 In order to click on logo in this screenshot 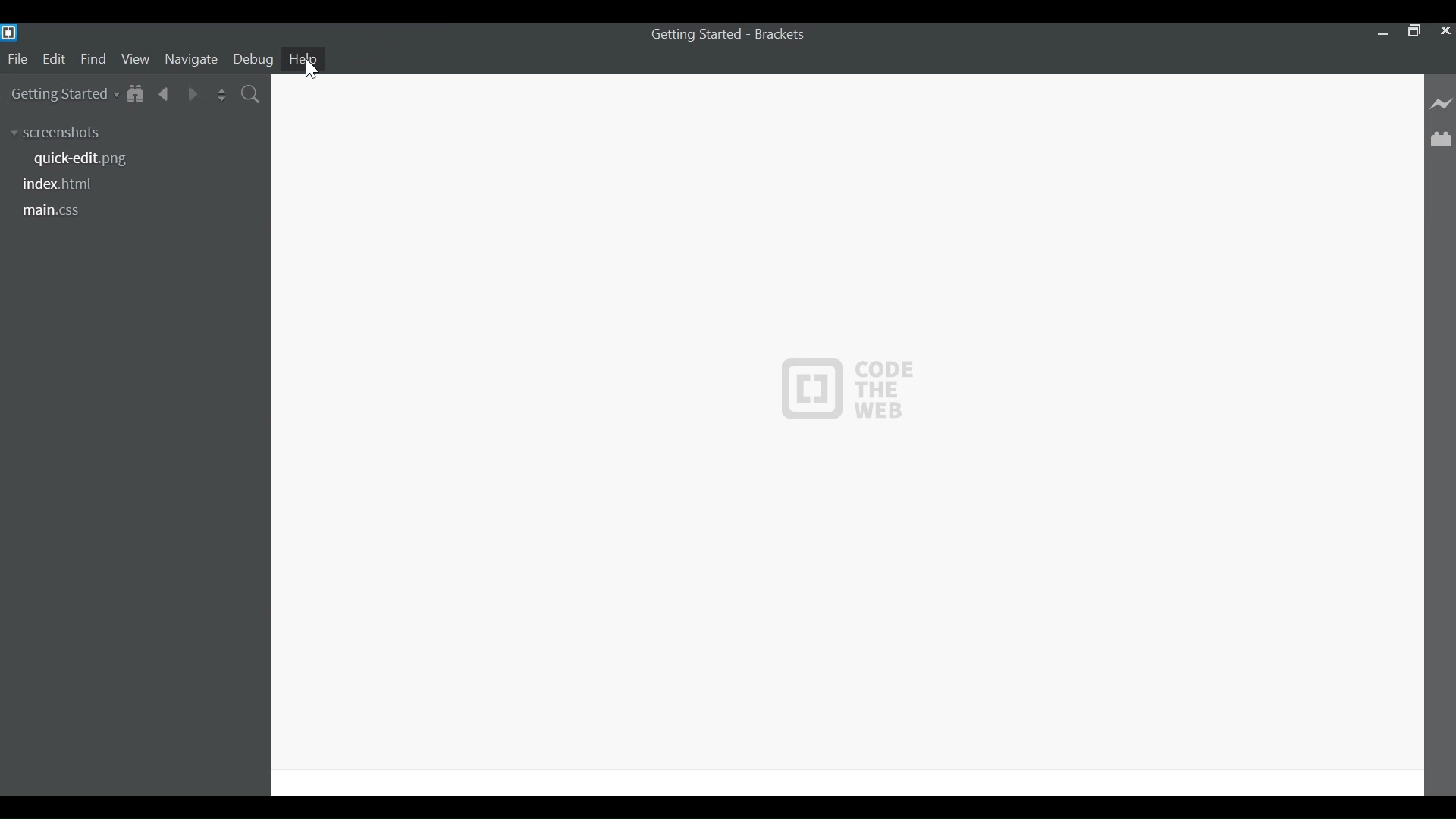, I will do `click(863, 394)`.